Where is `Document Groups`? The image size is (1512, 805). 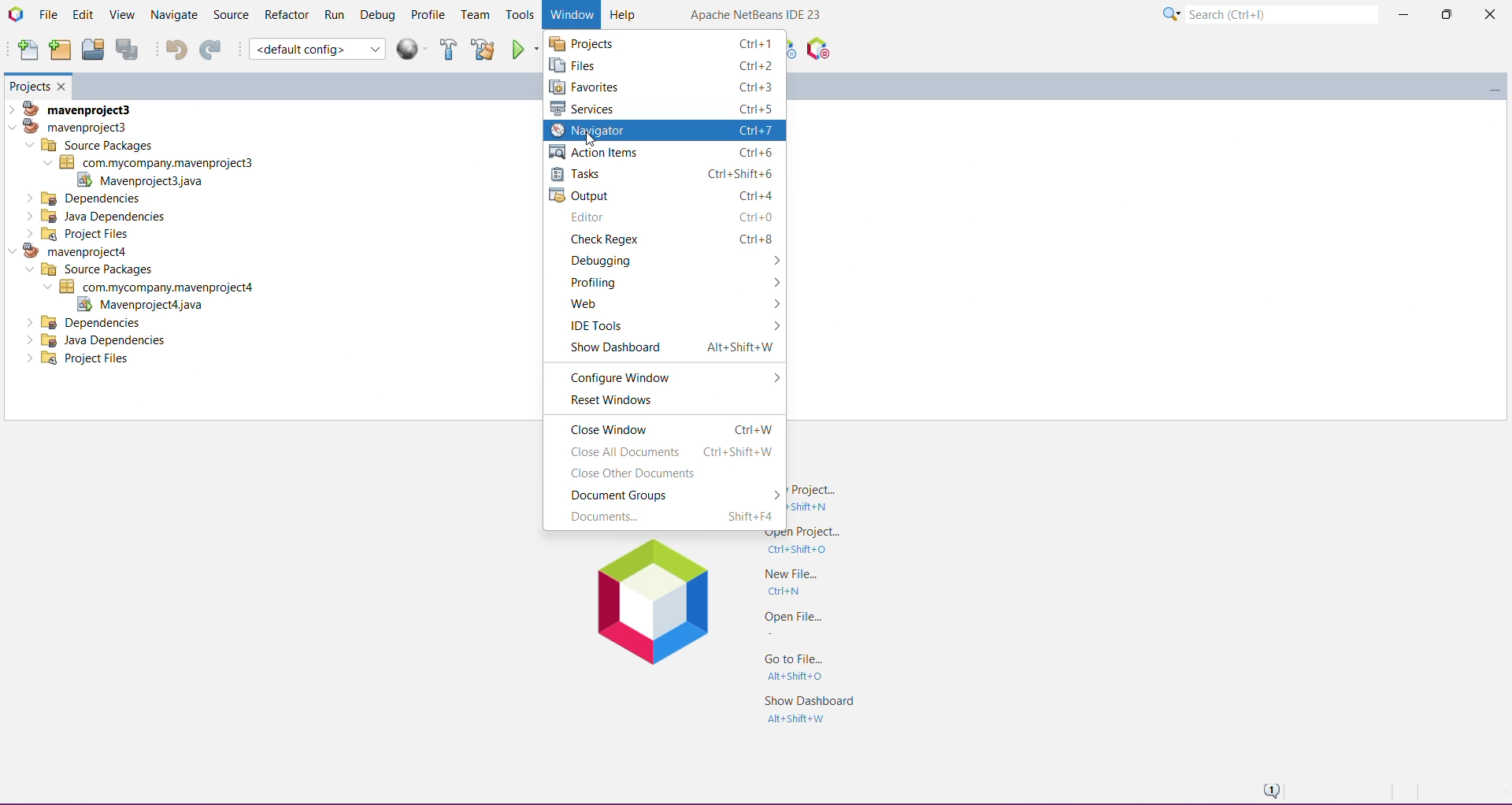 Document Groups is located at coordinates (669, 495).